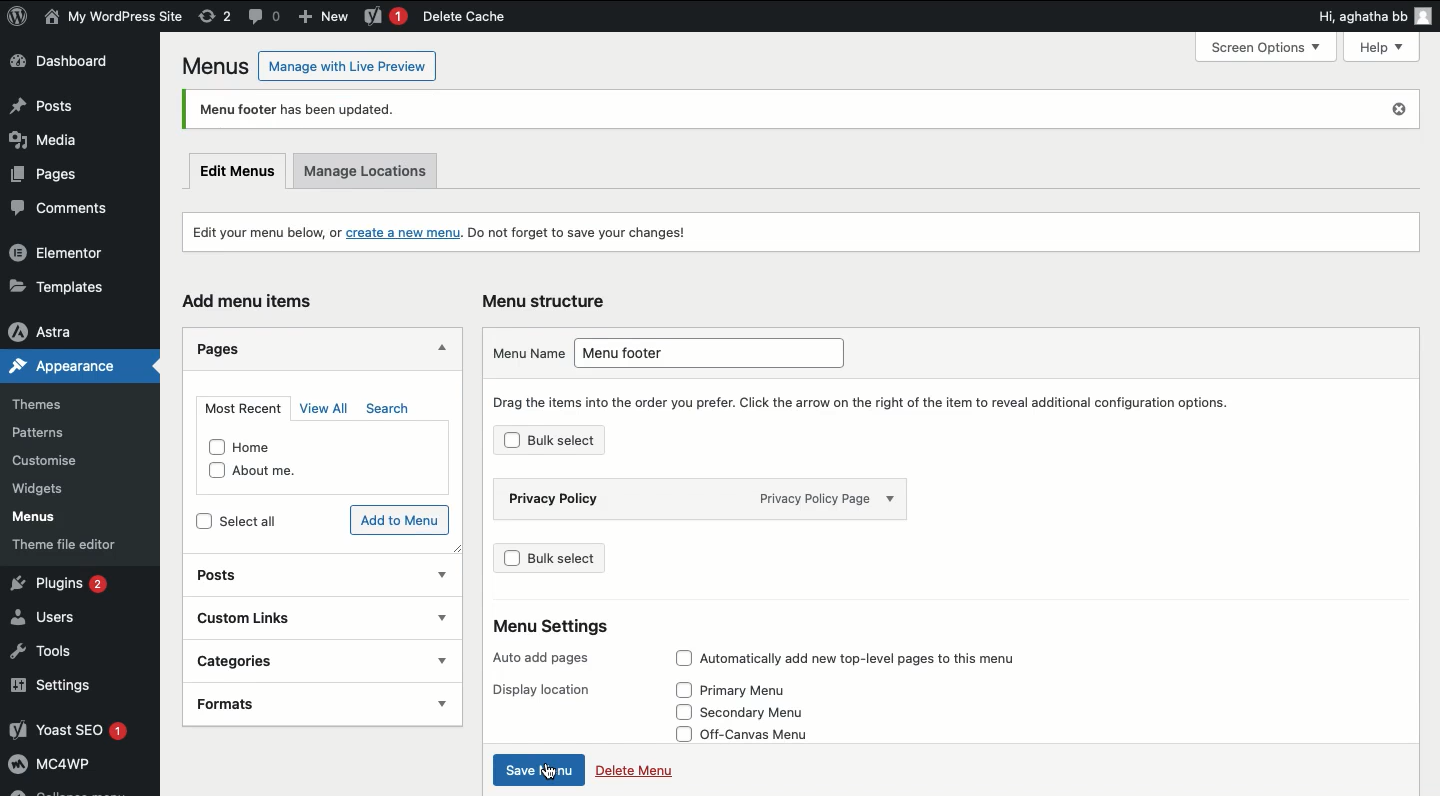 The height and width of the screenshot is (796, 1440). What do you see at coordinates (1358, 19) in the screenshot?
I see `Hi, agatha bb` at bounding box center [1358, 19].